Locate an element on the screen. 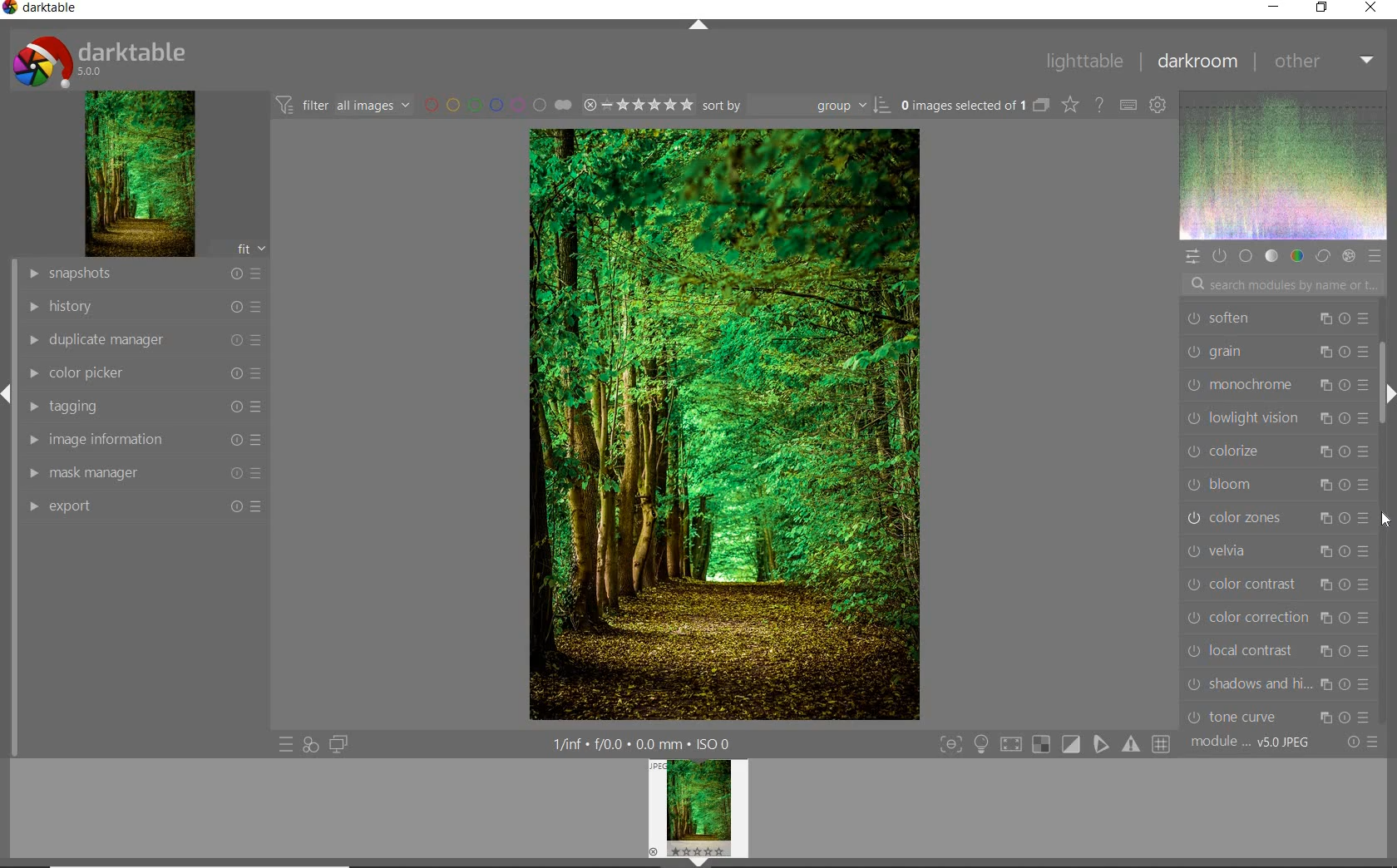  HISTORY is located at coordinates (141, 308).